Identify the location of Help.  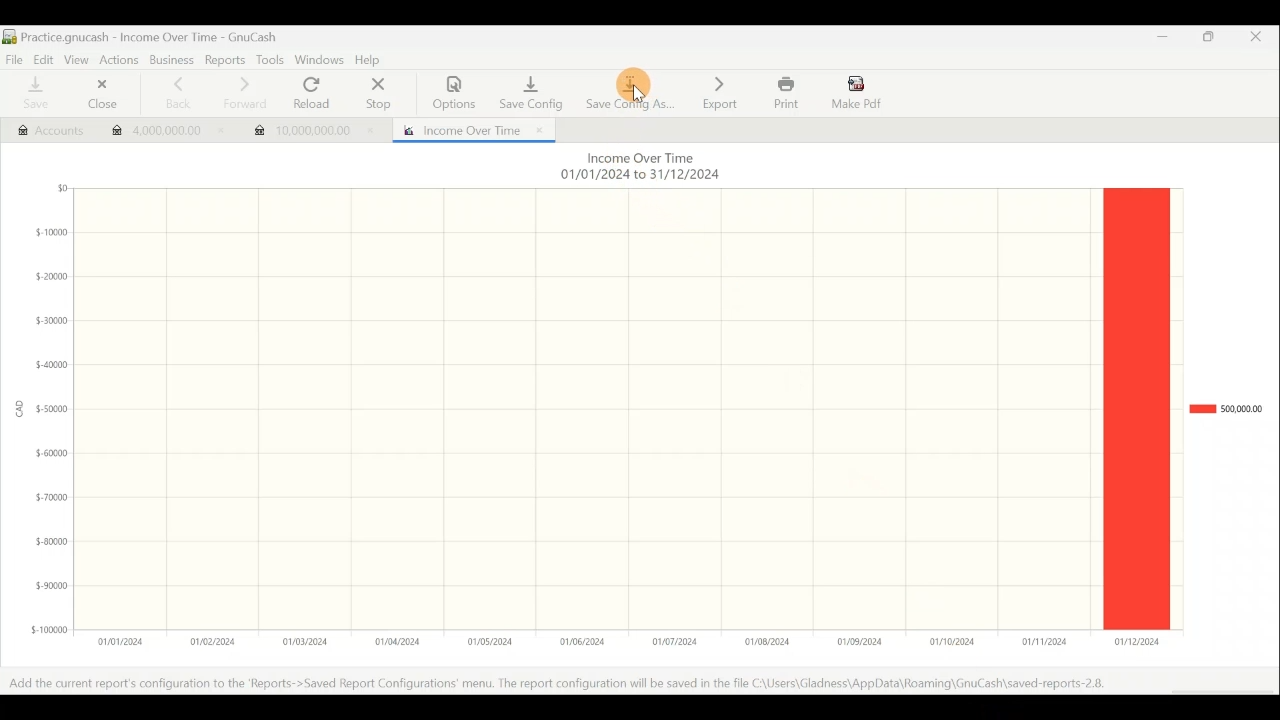
(372, 61).